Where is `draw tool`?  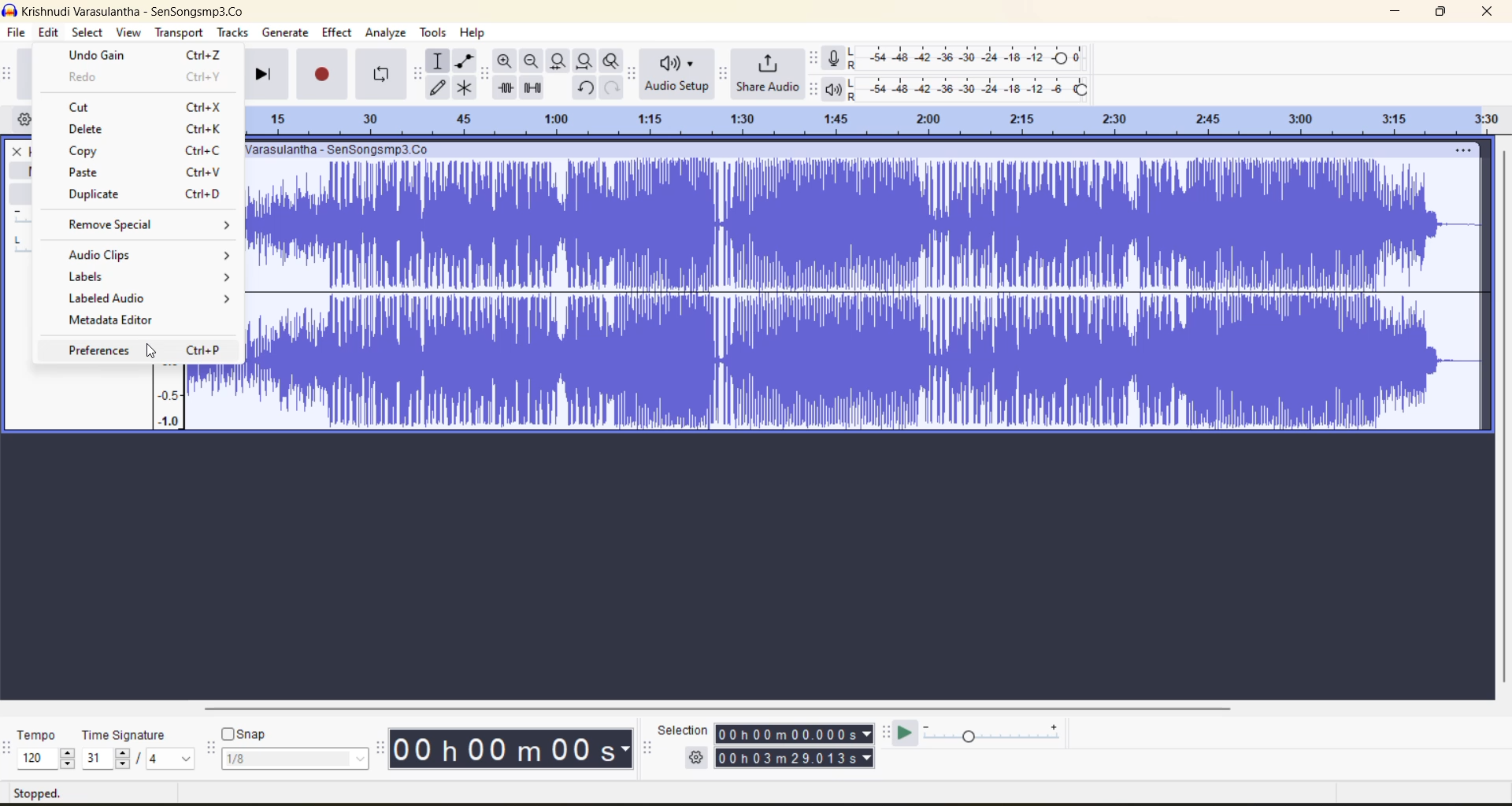 draw tool is located at coordinates (439, 87).